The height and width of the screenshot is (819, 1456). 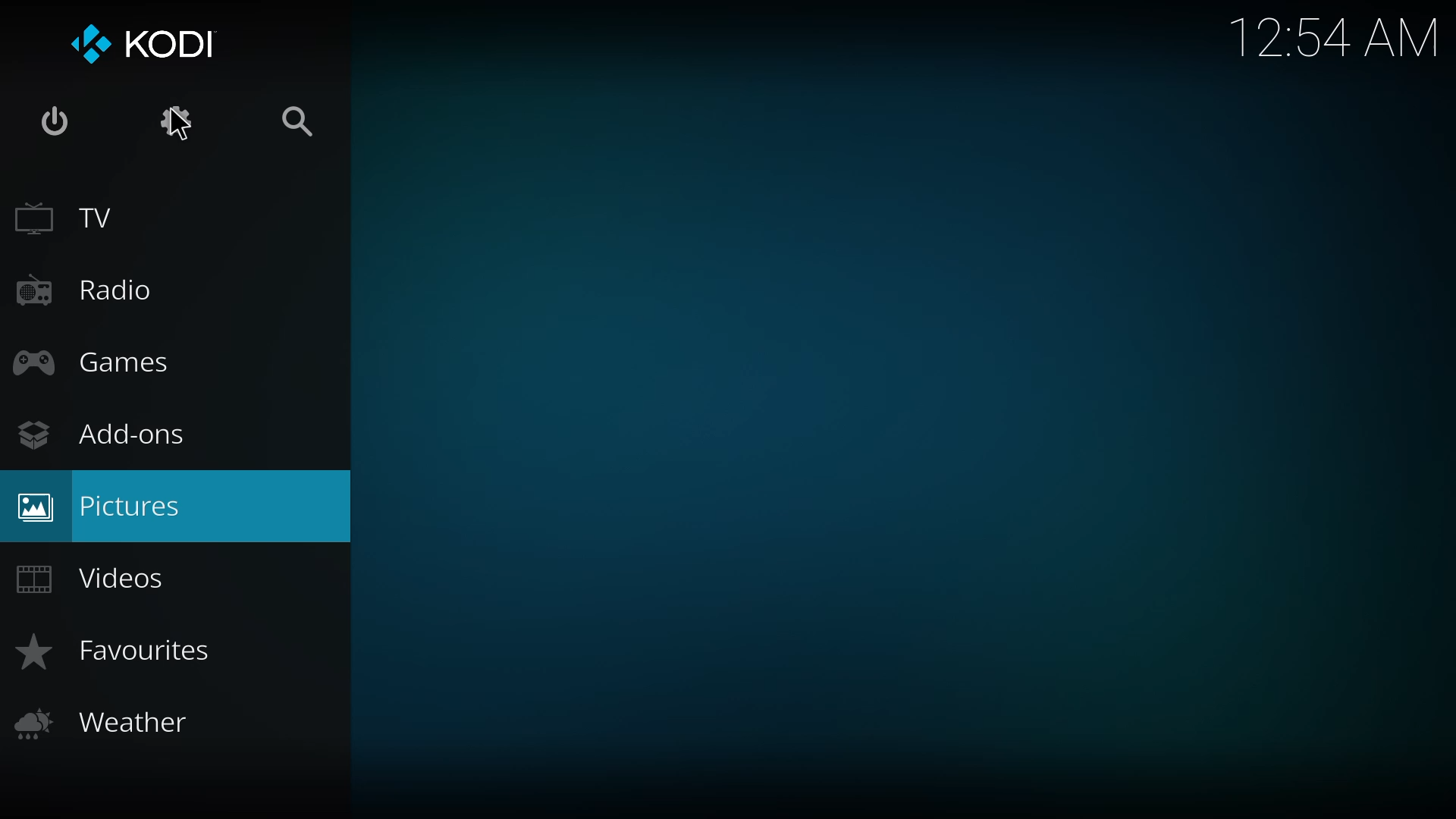 I want to click on time, so click(x=1338, y=35).